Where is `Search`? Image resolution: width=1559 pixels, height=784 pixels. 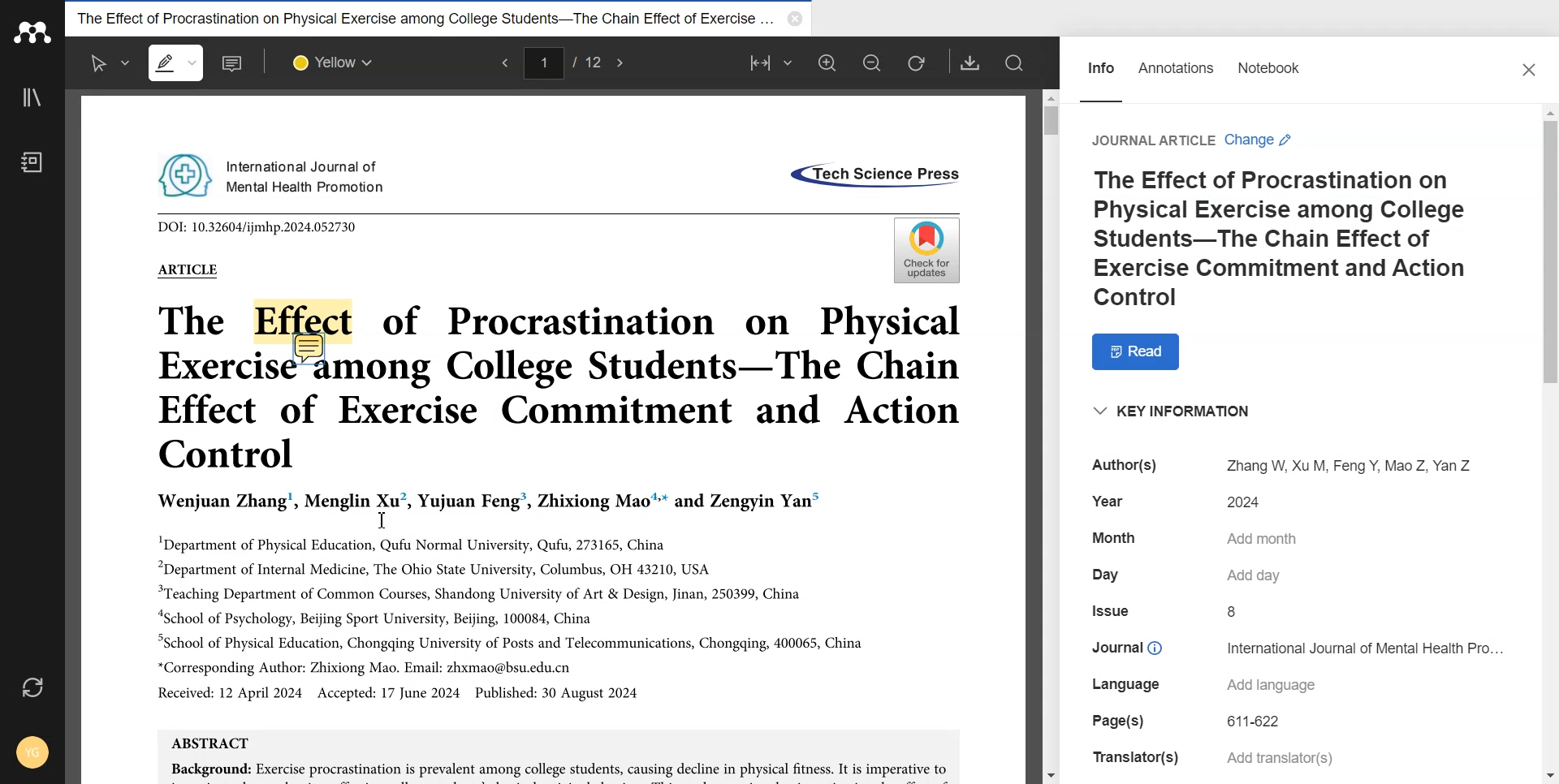
Search is located at coordinates (1016, 62).